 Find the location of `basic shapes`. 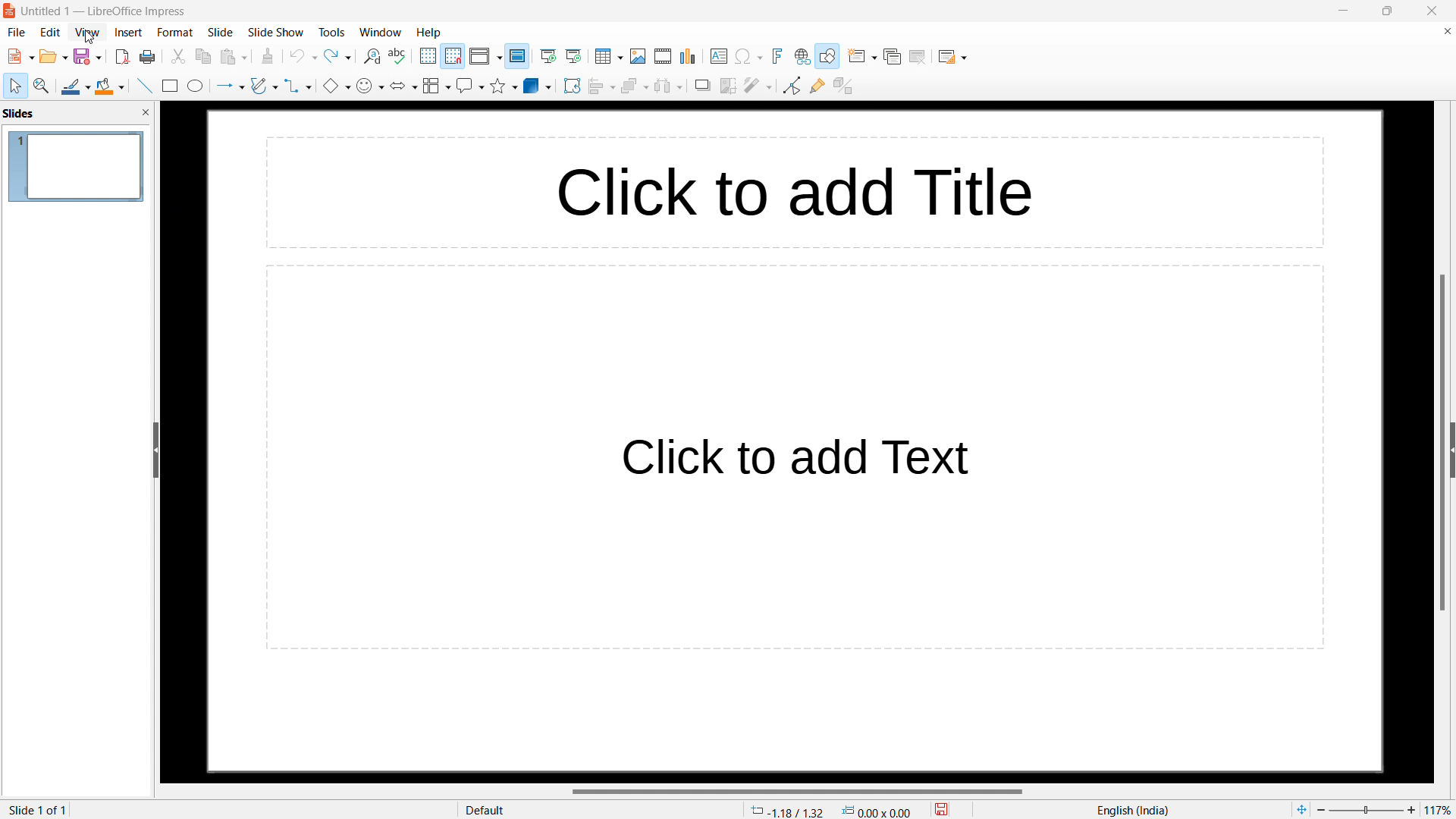

basic shapes is located at coordinates (337, 85).